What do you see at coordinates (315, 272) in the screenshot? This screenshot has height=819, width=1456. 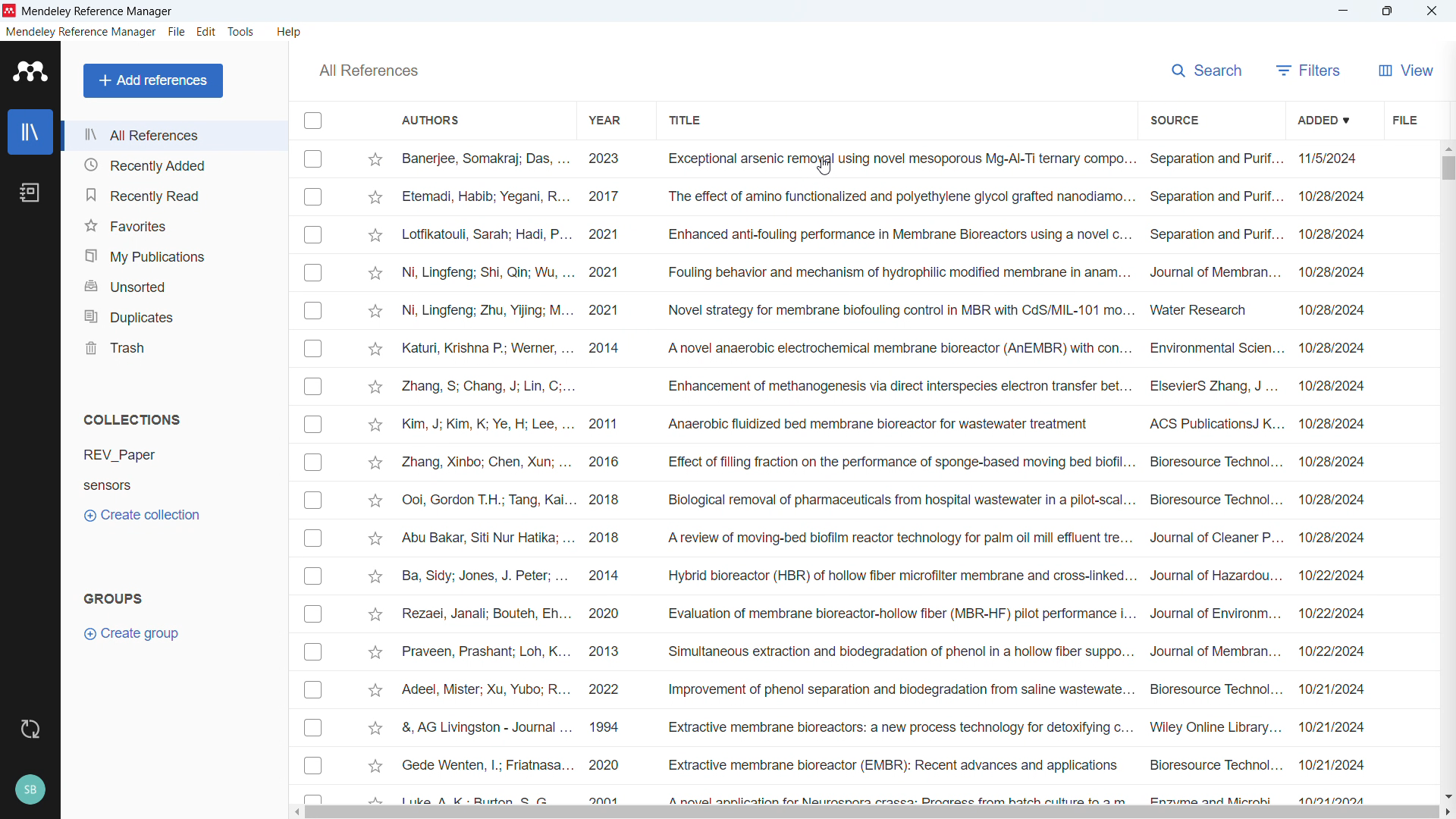 I see `click to select individual entry` at bounding box center [315, 272].